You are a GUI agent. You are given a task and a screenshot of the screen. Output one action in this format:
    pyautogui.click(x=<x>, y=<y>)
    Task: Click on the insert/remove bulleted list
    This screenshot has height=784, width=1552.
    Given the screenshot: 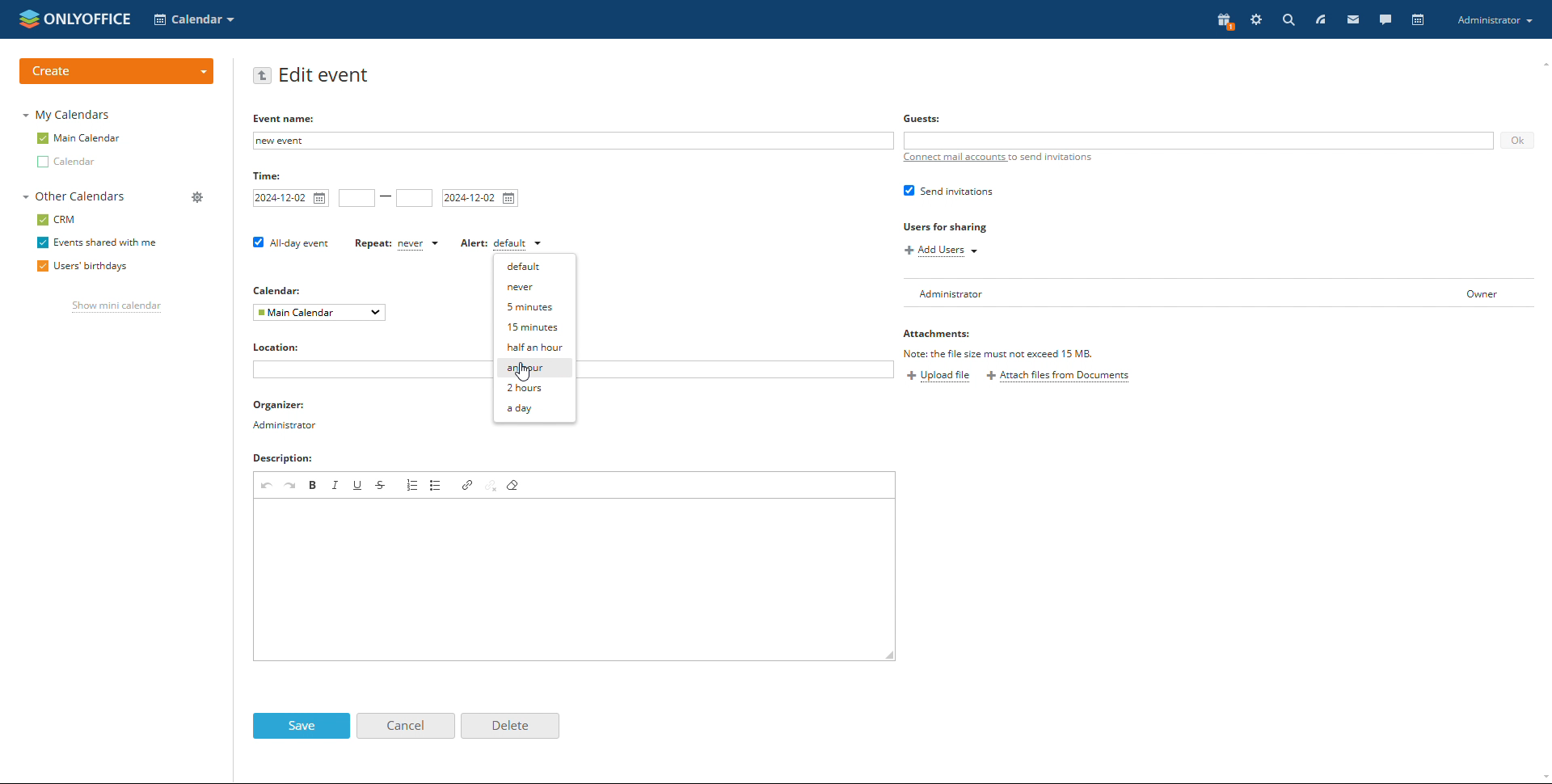 What is the action you would take?
    pyautogui.click(x=436, y=484)
    